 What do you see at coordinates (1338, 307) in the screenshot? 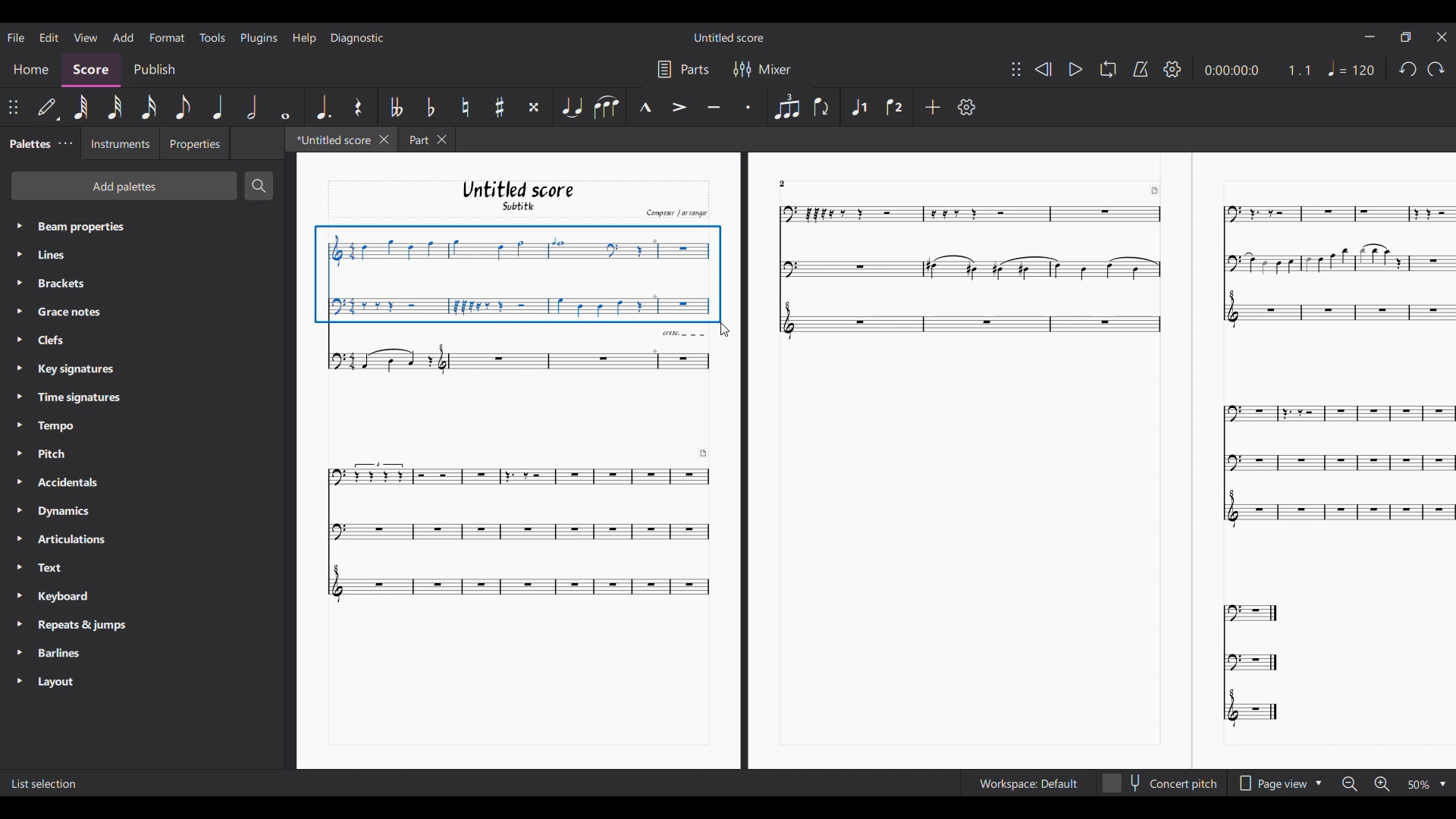
I see `` at bounding box center [1338, 307].